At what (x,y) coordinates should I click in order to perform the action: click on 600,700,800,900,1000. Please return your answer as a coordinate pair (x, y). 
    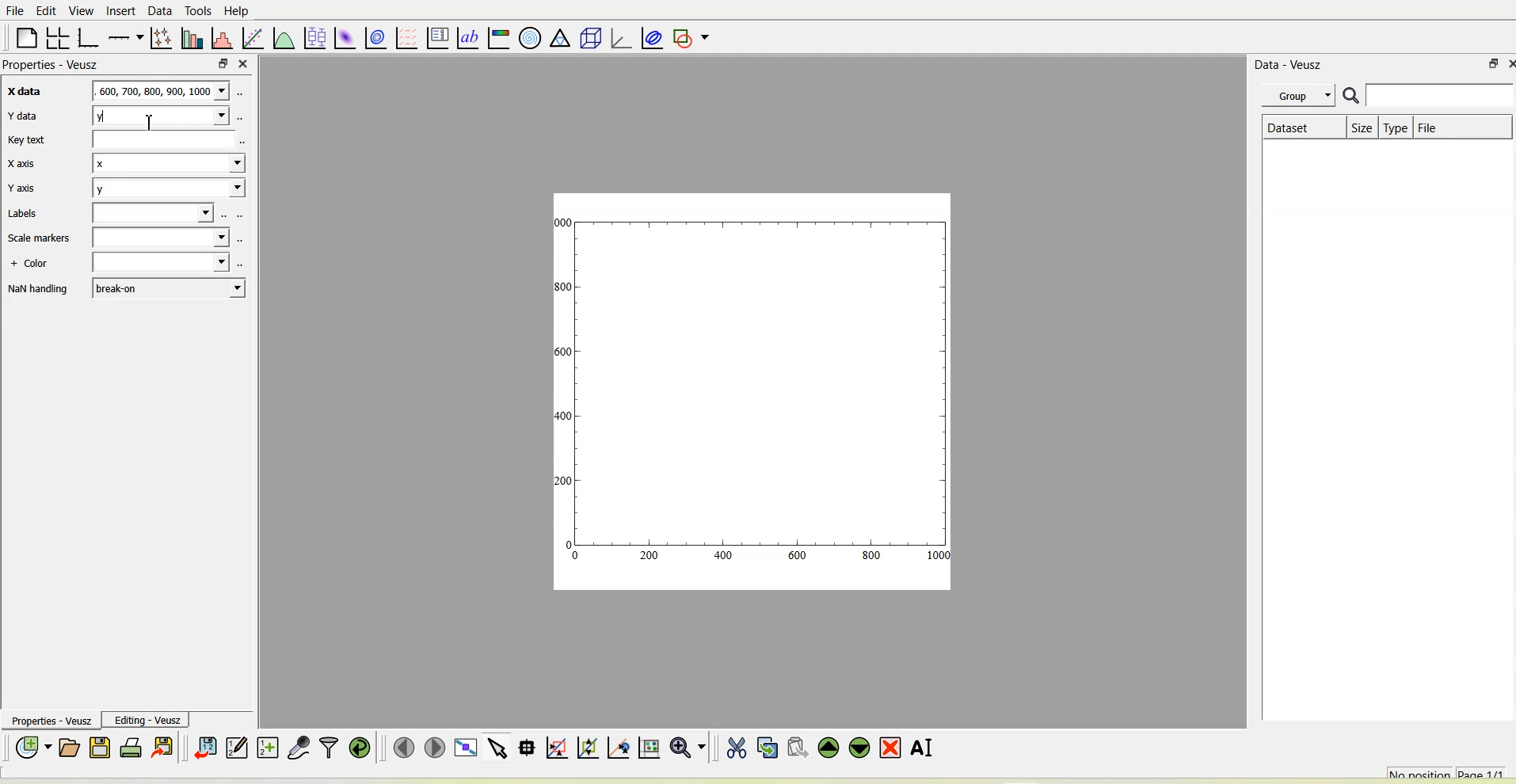
    Looking at the image, I should click on (160, 90).